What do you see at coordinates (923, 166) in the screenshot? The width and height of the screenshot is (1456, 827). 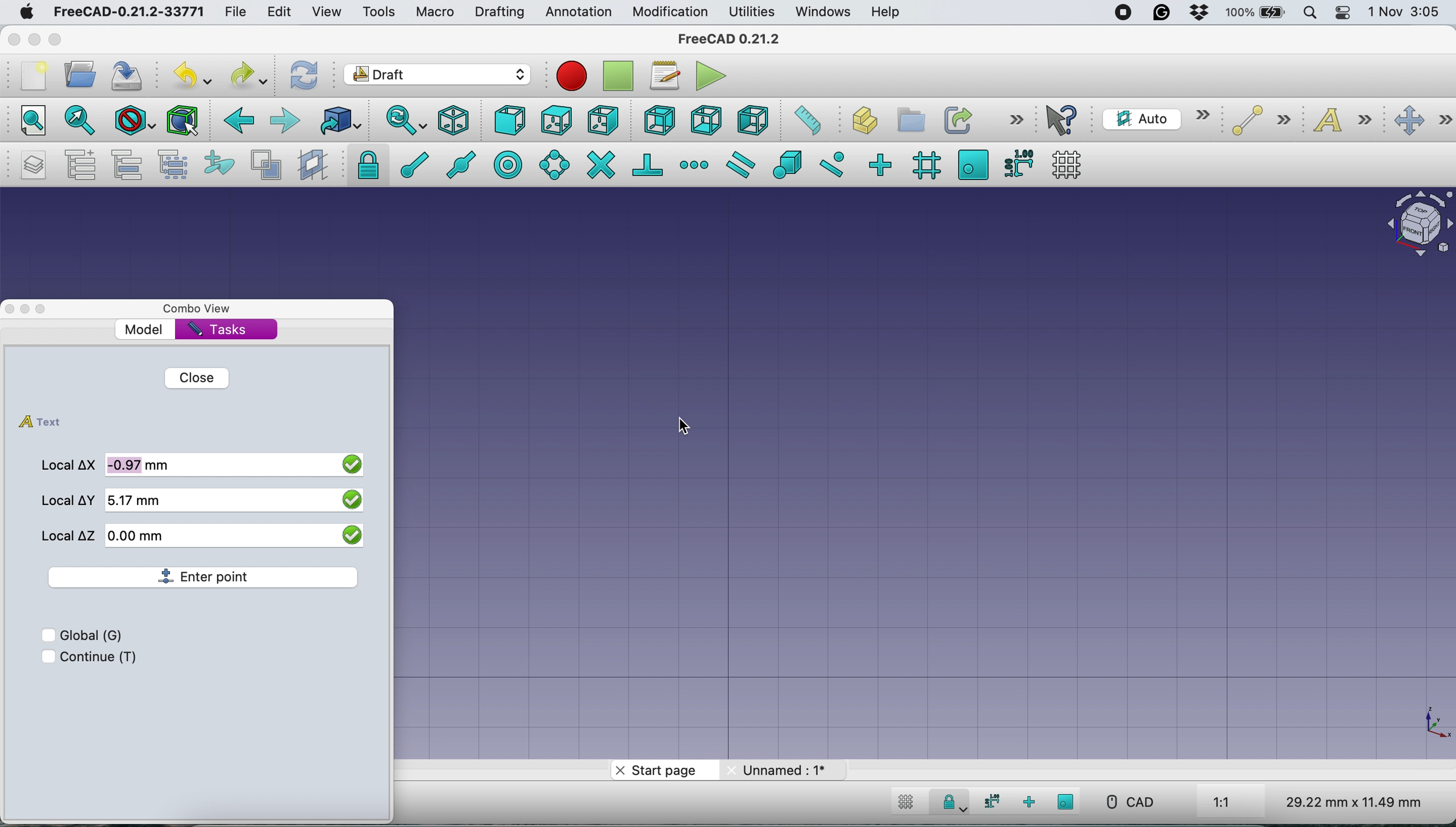 I see `snap grid` at bounding box center [923, 166].